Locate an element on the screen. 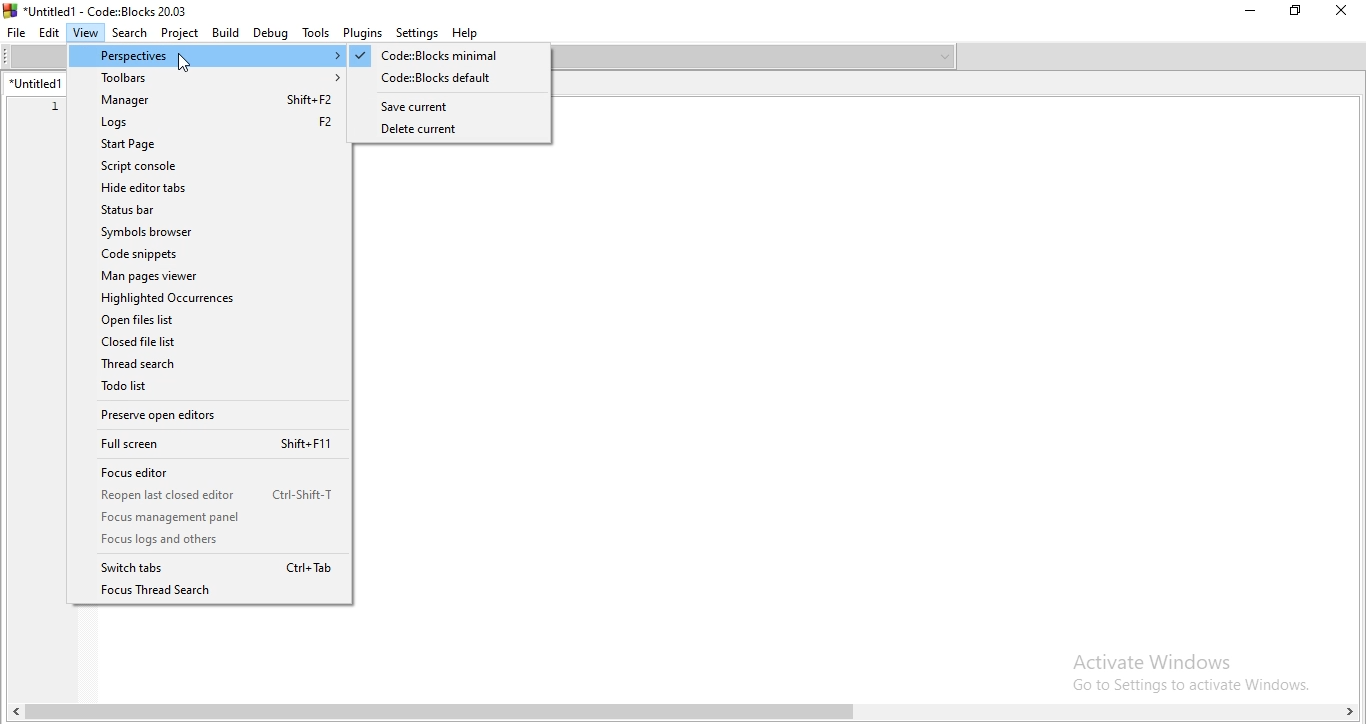 Image resolution: width=1366 pixels, height=724 pixels. Build  is located at coordinates (223, 33).